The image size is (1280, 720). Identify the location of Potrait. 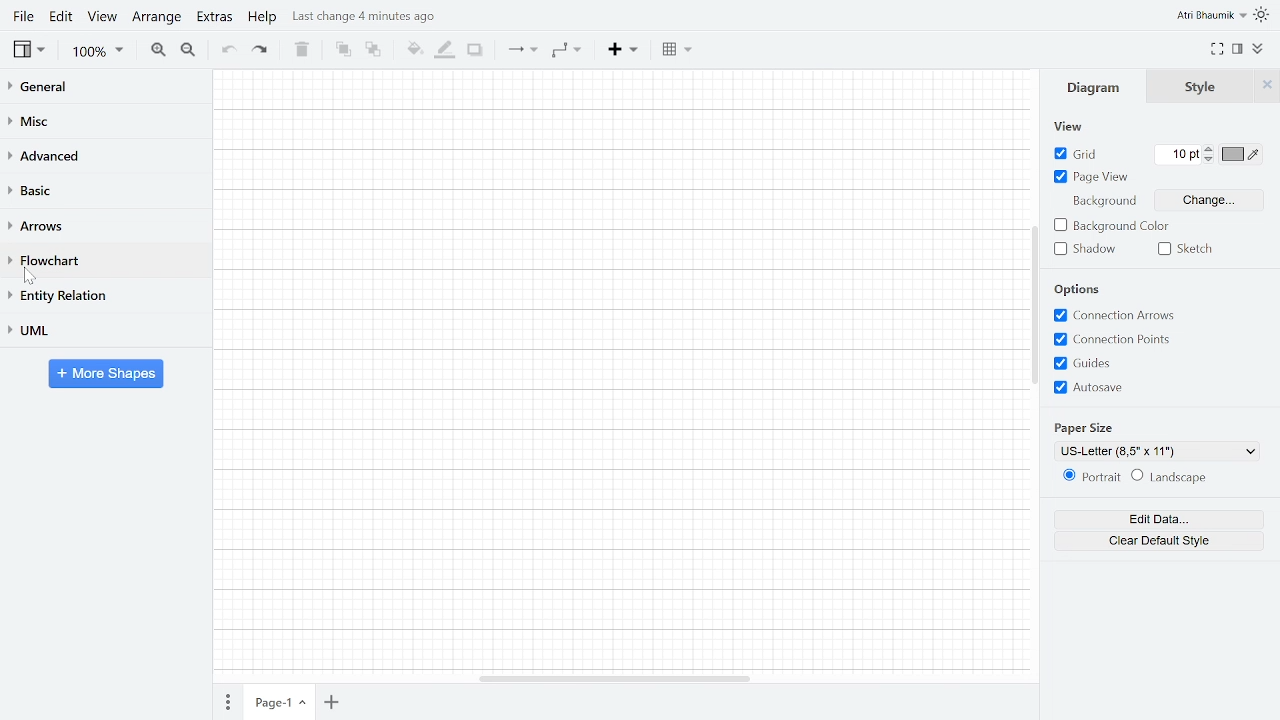
(1085, 478).